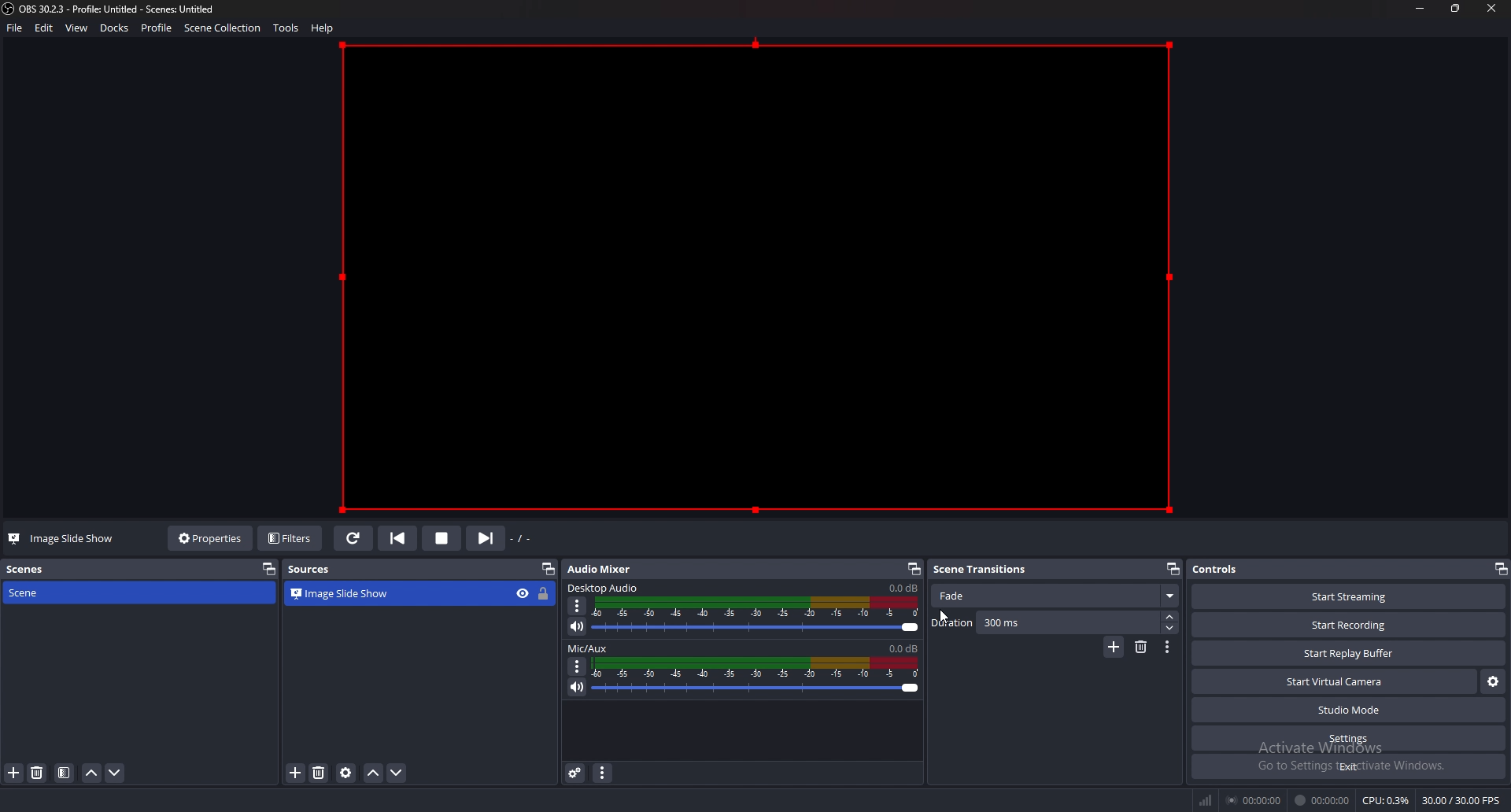 The image size is (1511, 812). Describe the element at coordinates (578, 666) in the screenshot. I see `options` at that location.